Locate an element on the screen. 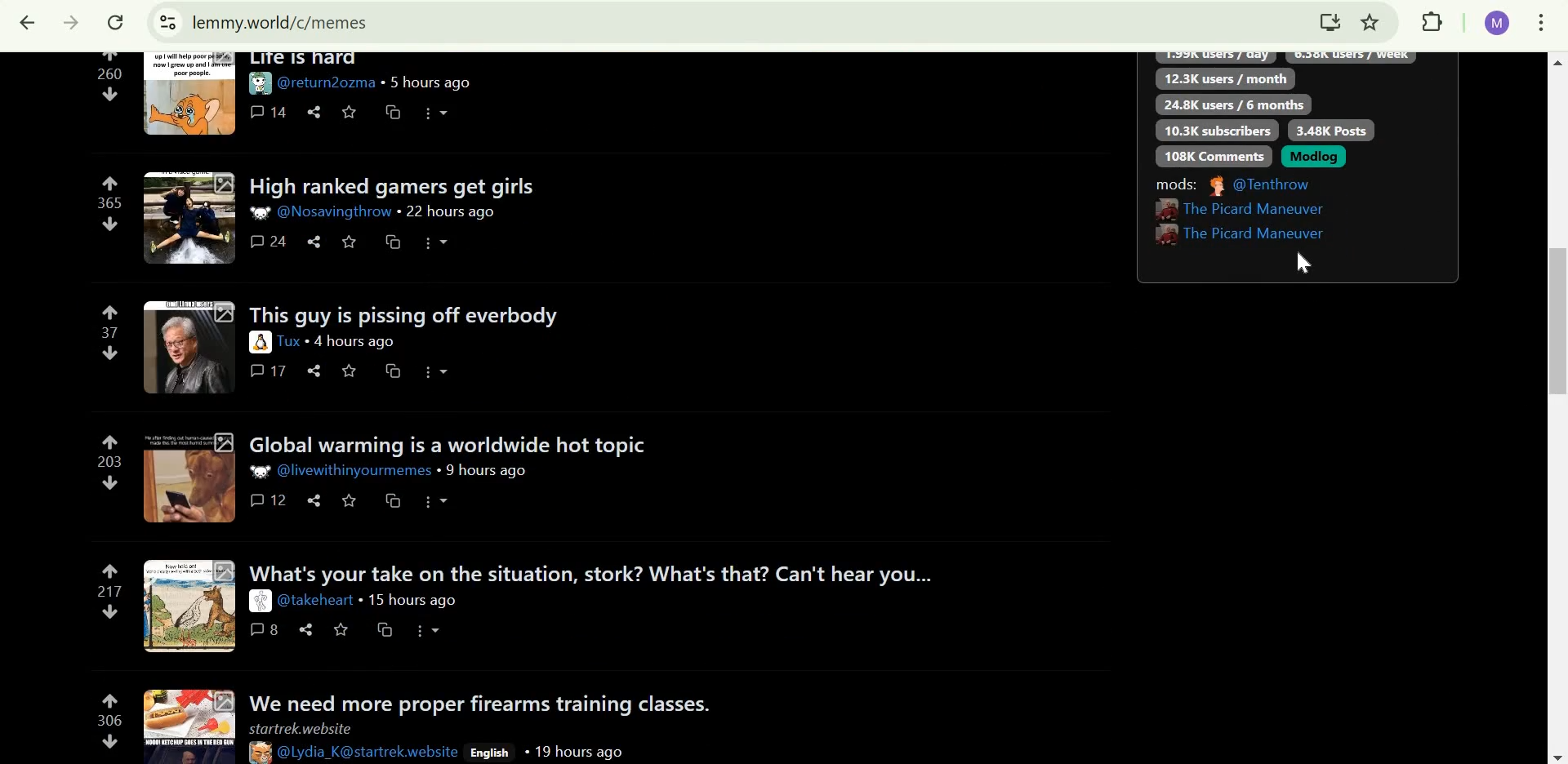 The width and height of the screenshot is (1568, 764). more is located at coordinates (436, 372).